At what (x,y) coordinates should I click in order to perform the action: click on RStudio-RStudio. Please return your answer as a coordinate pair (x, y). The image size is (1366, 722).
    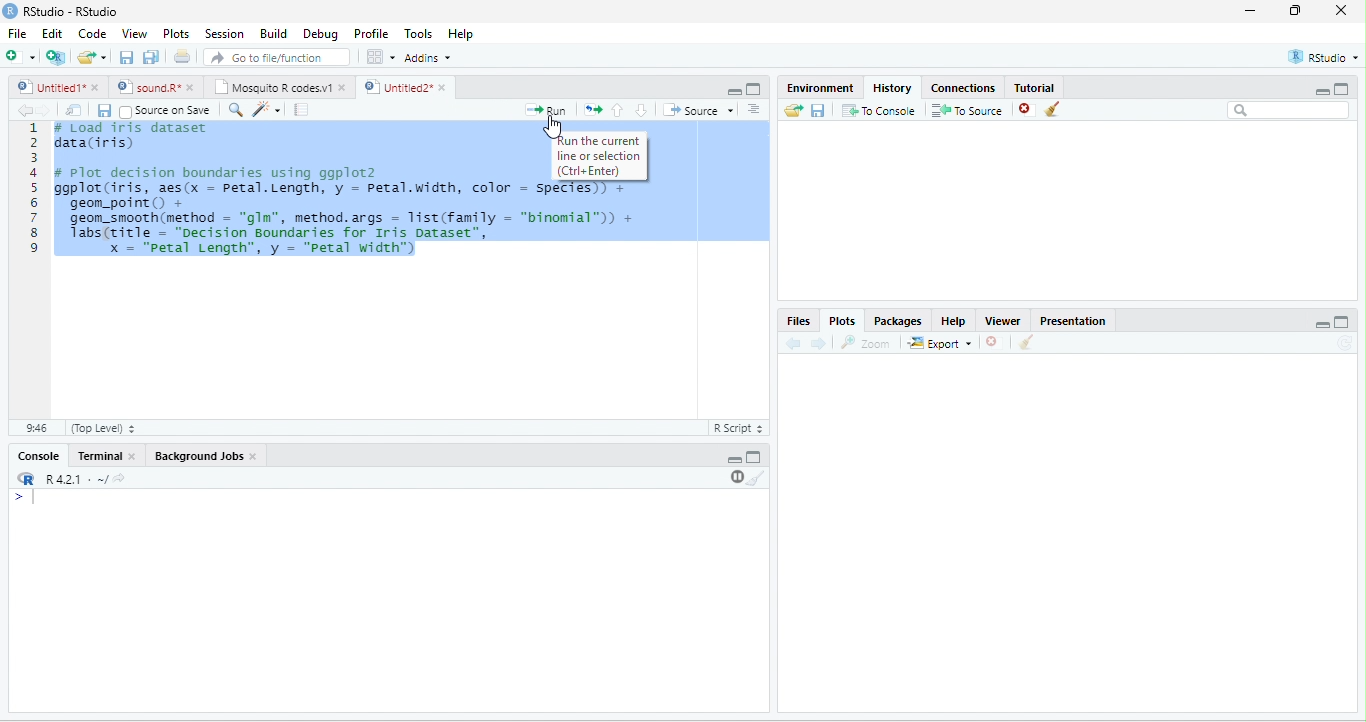
    Looking at the image, I should click on (72, 11).